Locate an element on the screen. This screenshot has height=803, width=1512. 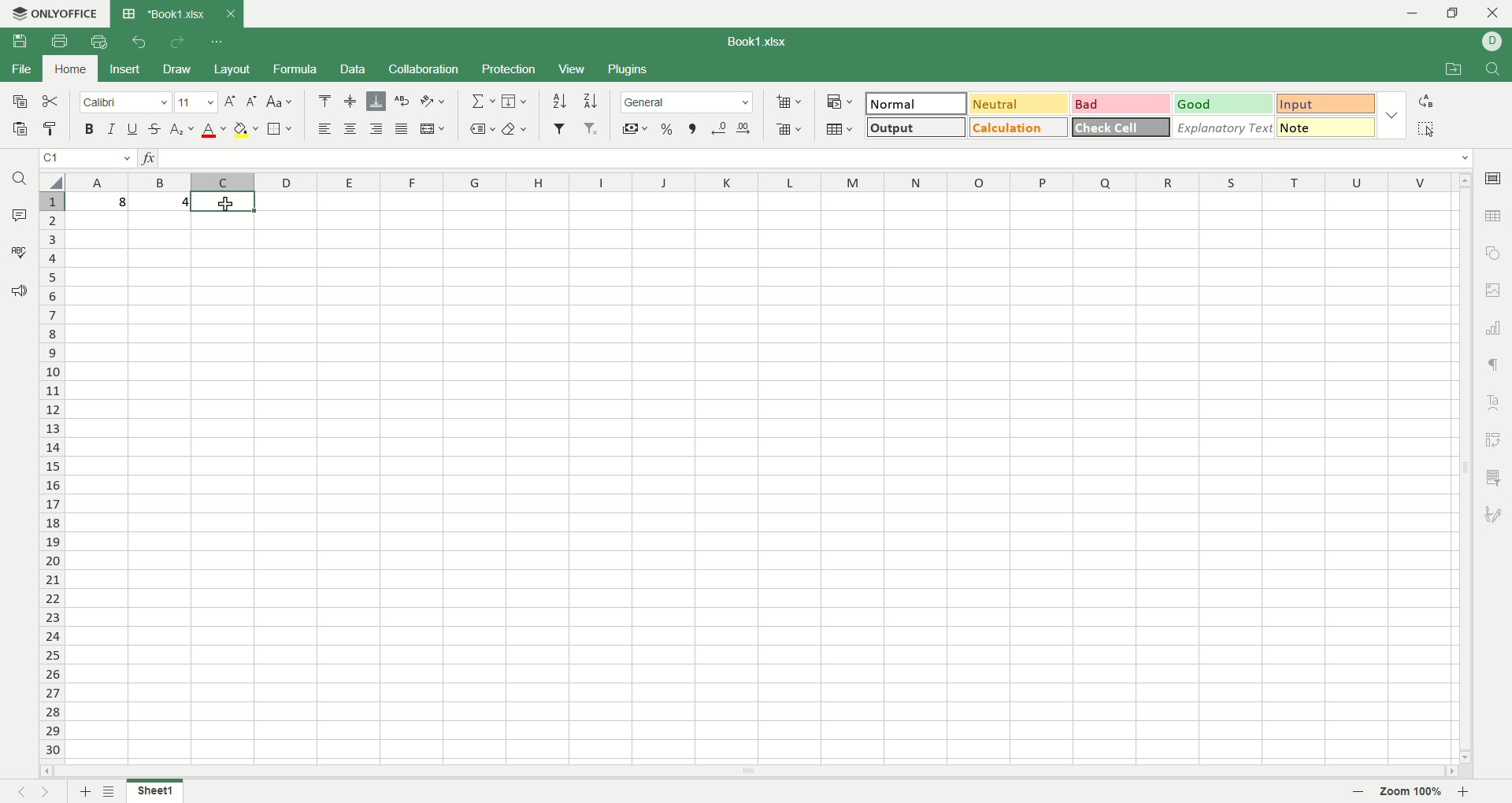
underline is located at coordinates (133, 128).